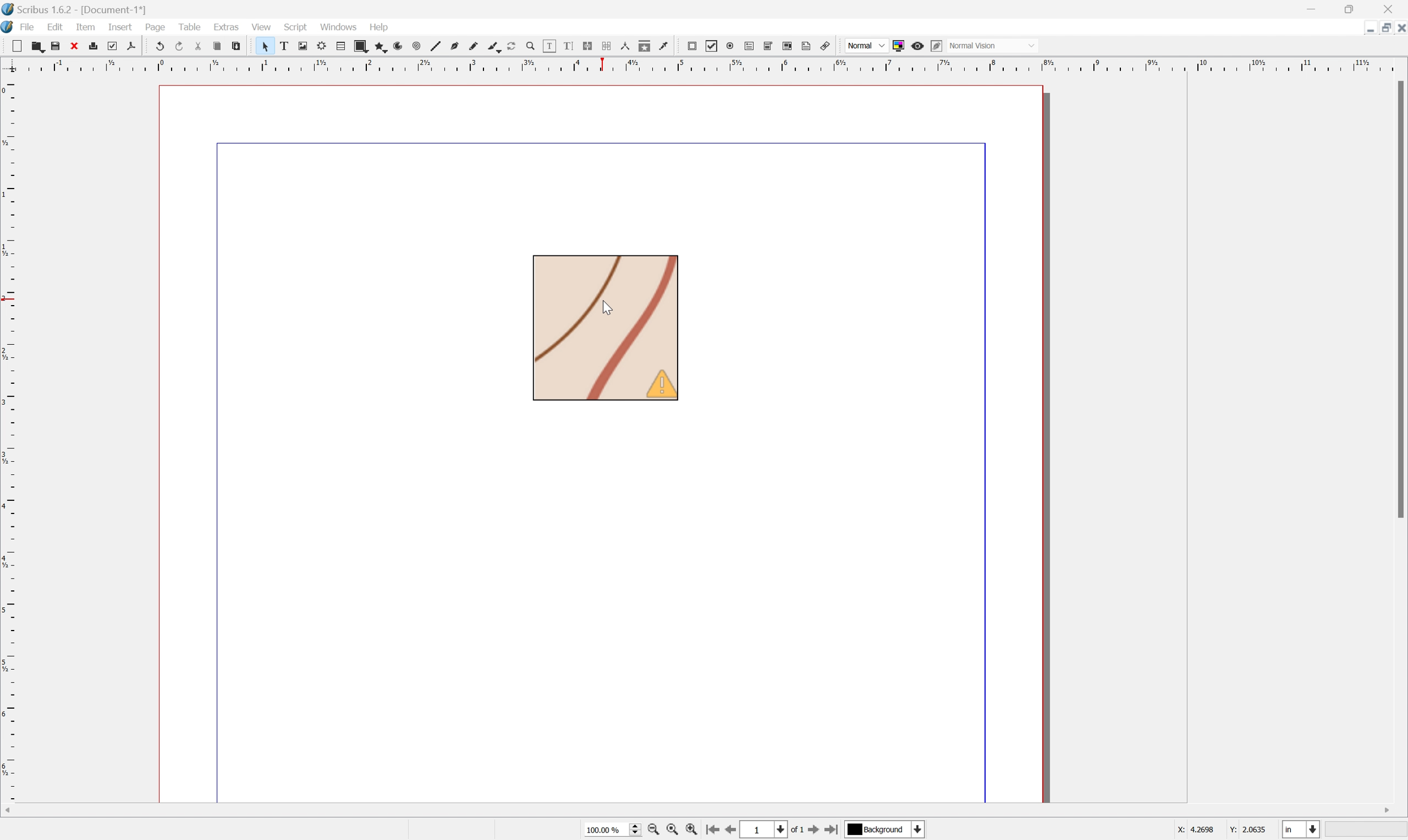  I want to click on Insert, so click(119, 27).